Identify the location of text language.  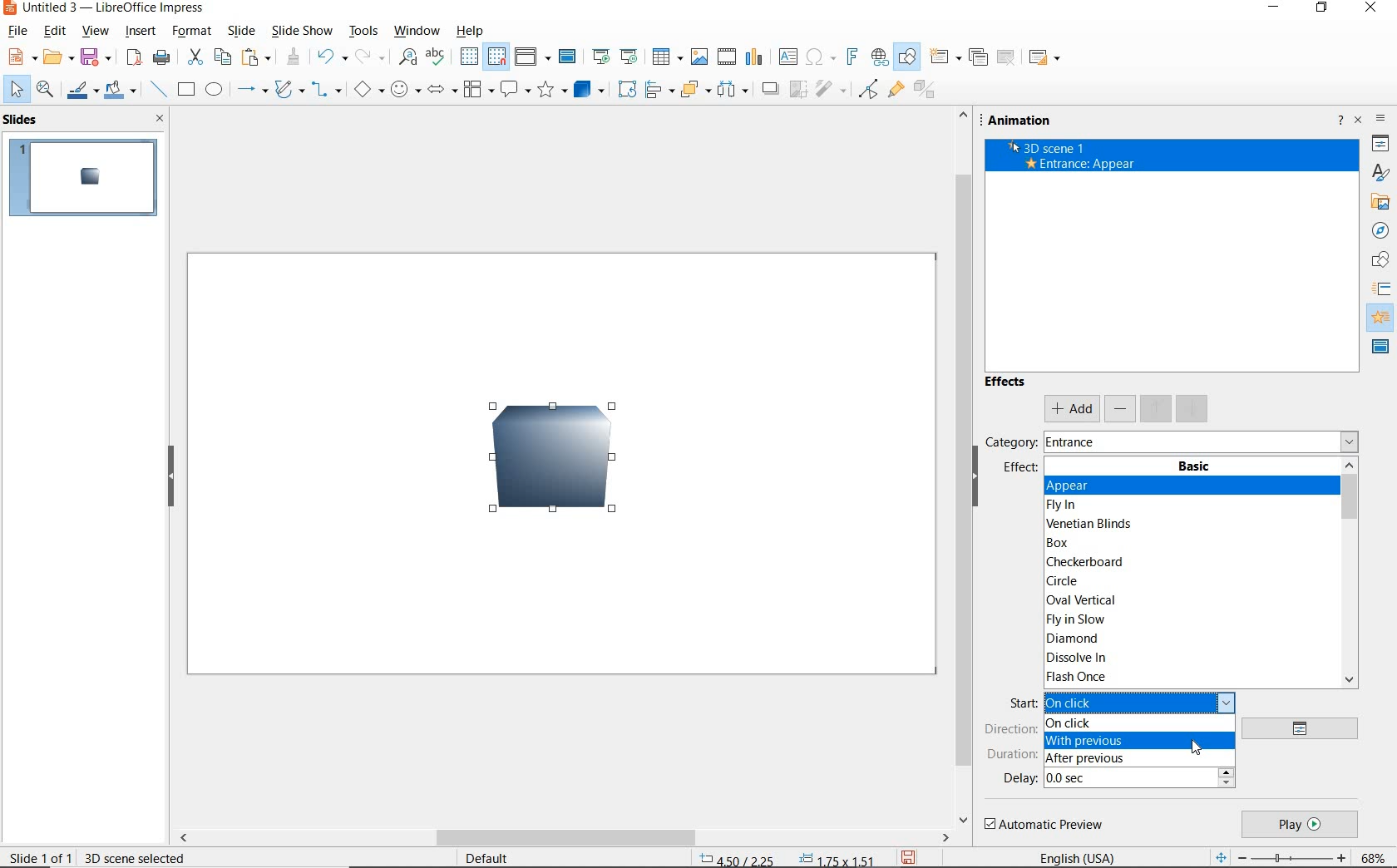
(1079, 856).